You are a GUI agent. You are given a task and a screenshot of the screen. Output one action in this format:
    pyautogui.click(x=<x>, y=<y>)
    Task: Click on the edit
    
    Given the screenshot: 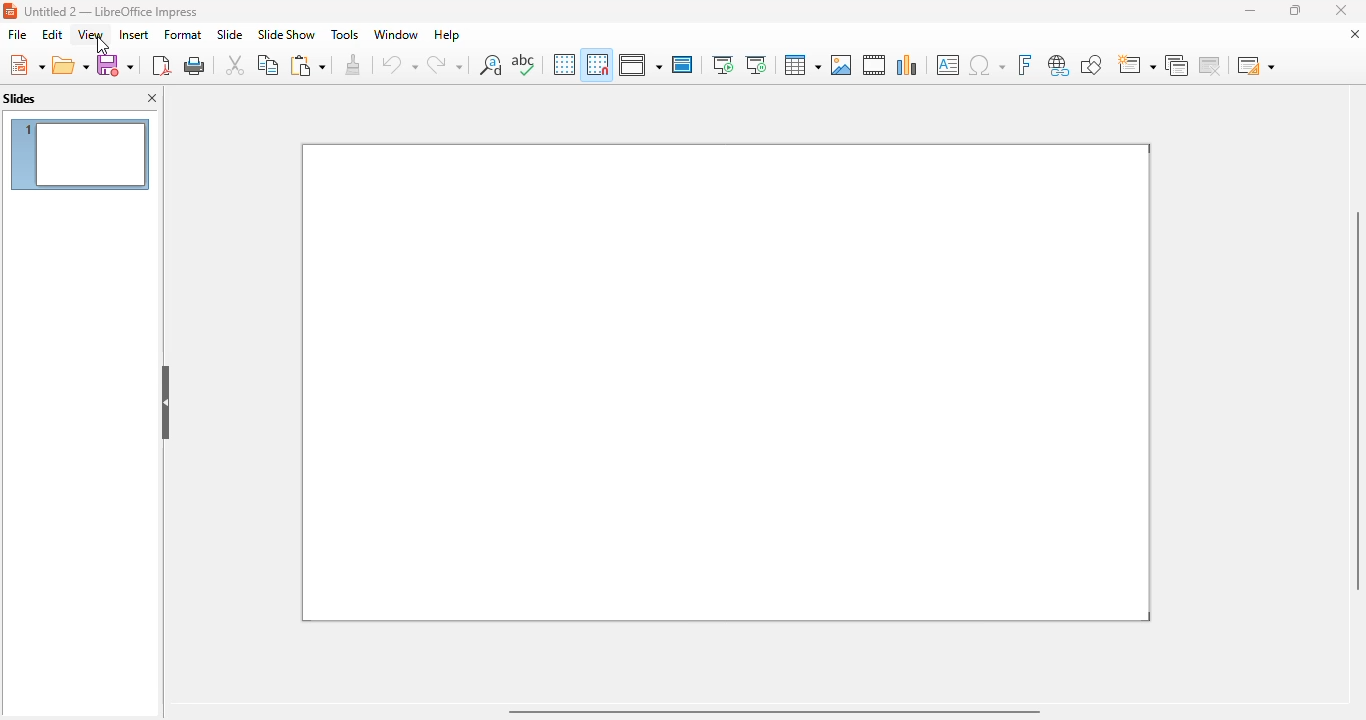 What is the action you would take?
    pyautogui.click(x=53, y=35)
    